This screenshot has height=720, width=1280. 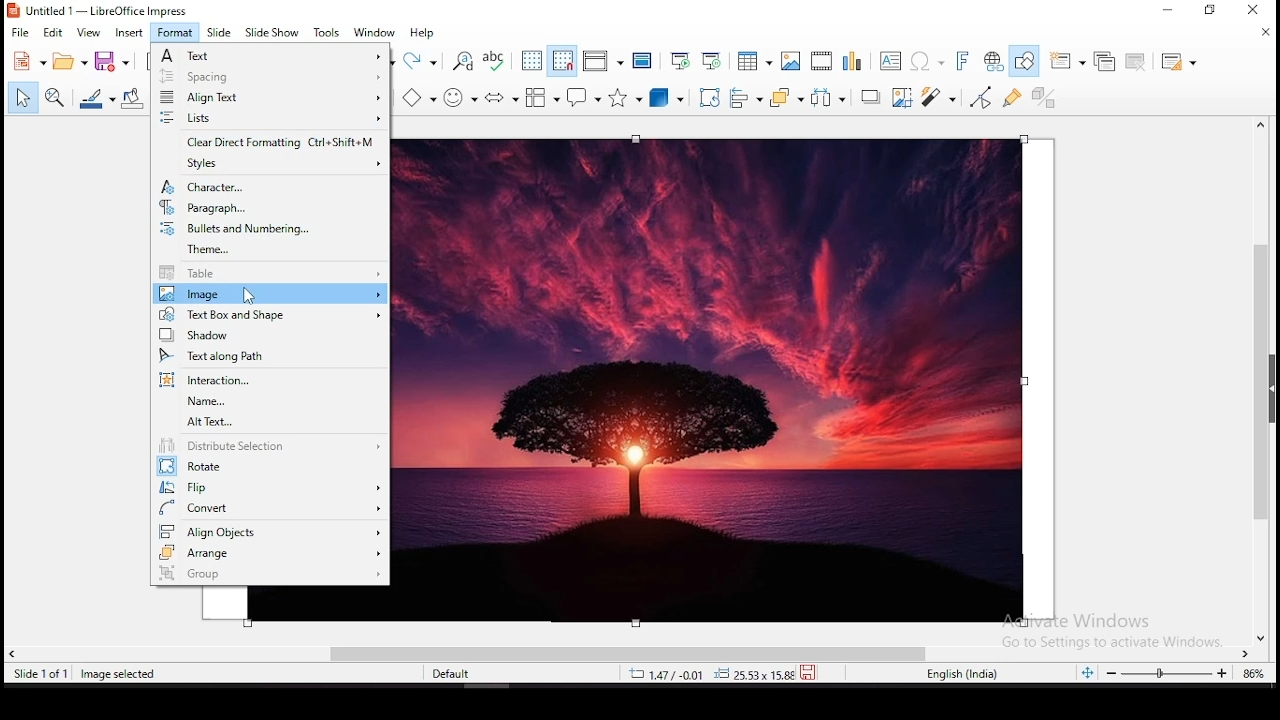 I want to click on Shadow, so click(x=870, y=98).